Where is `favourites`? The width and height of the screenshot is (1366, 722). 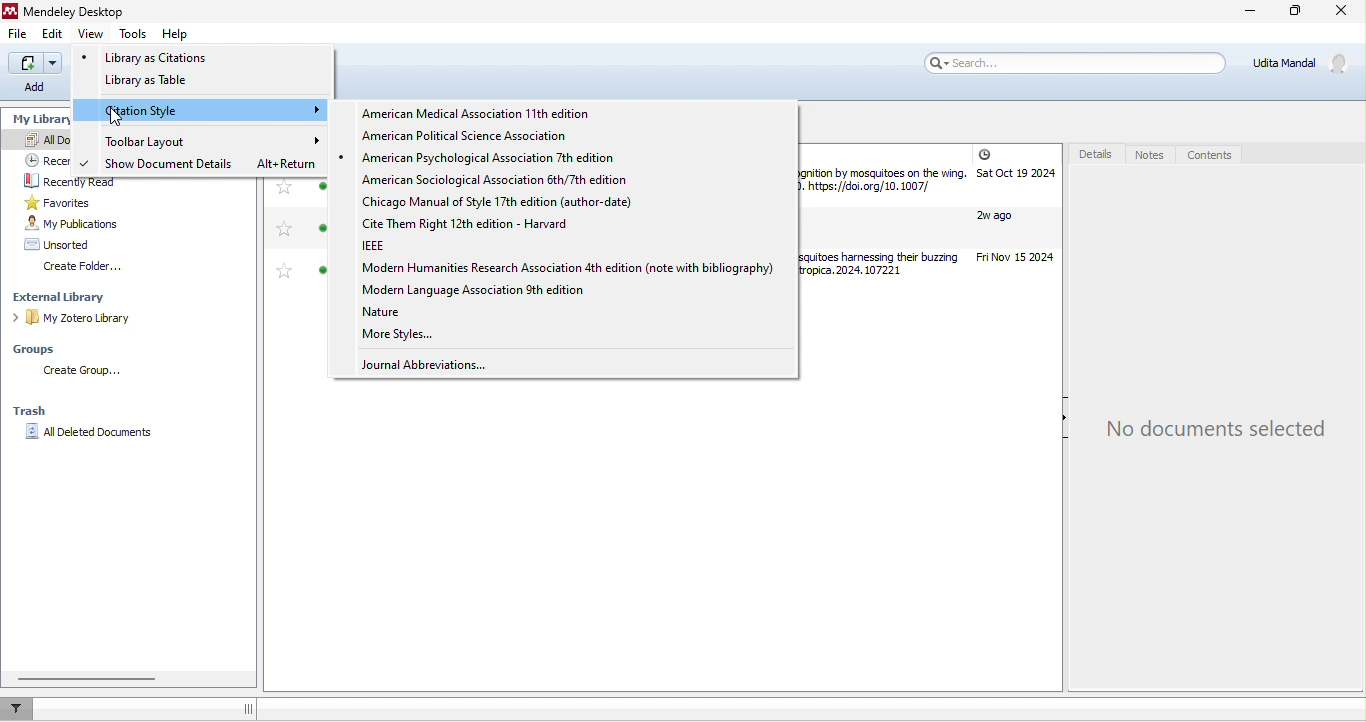 favourites is located at coordinates (281, 236).